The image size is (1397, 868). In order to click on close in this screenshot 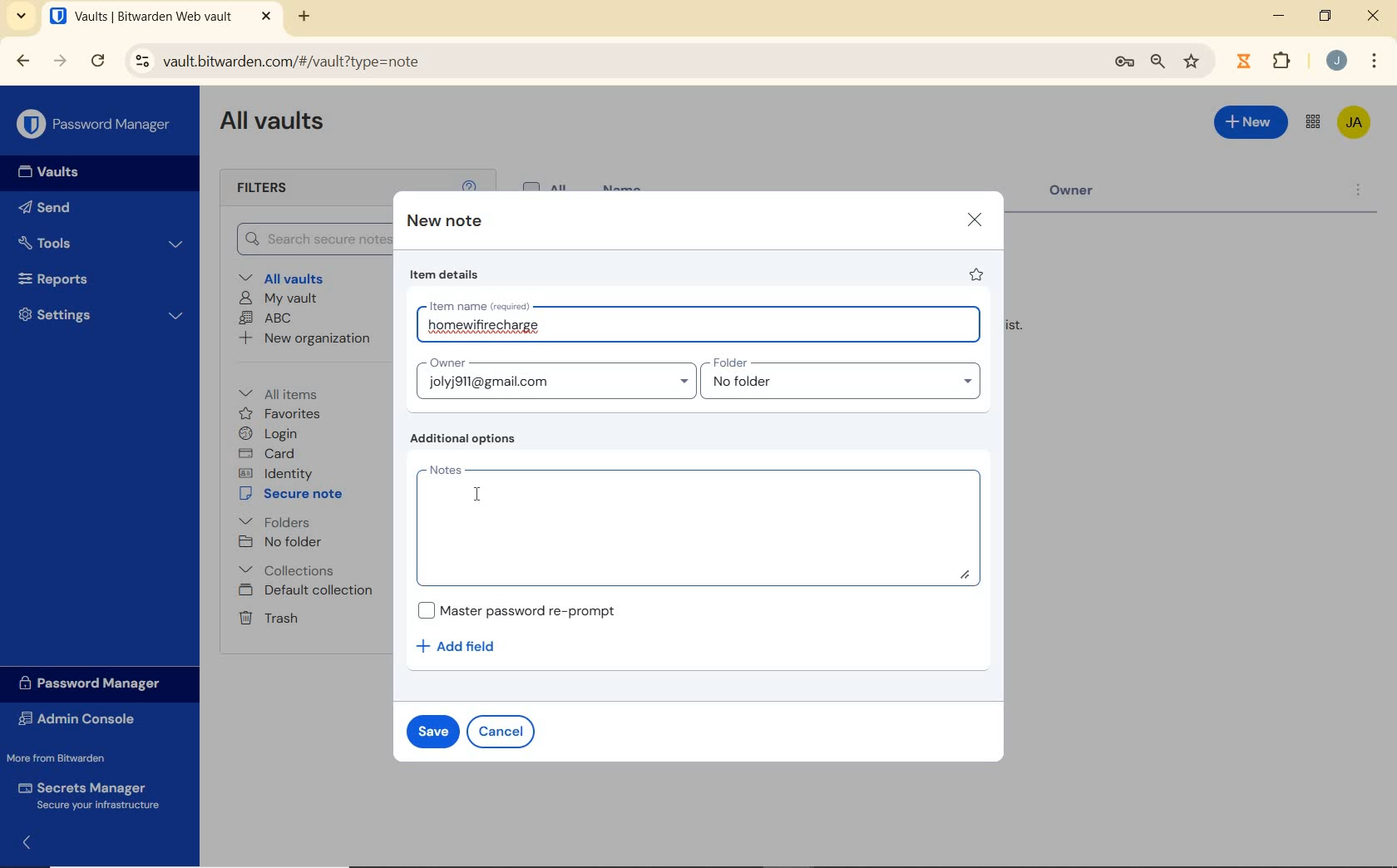, I will do `click(1373, 15)`.